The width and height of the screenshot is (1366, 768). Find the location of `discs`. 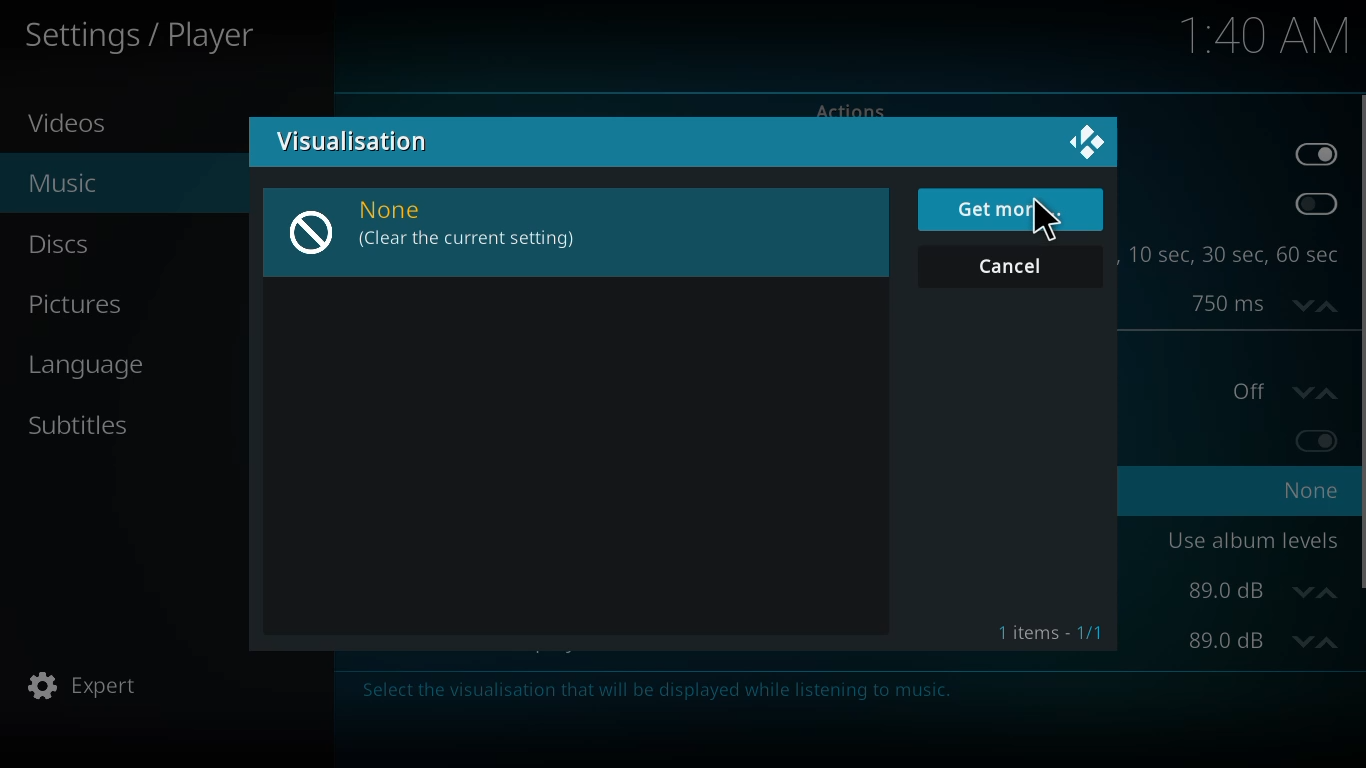

discs is located at coordinates (61, 243).